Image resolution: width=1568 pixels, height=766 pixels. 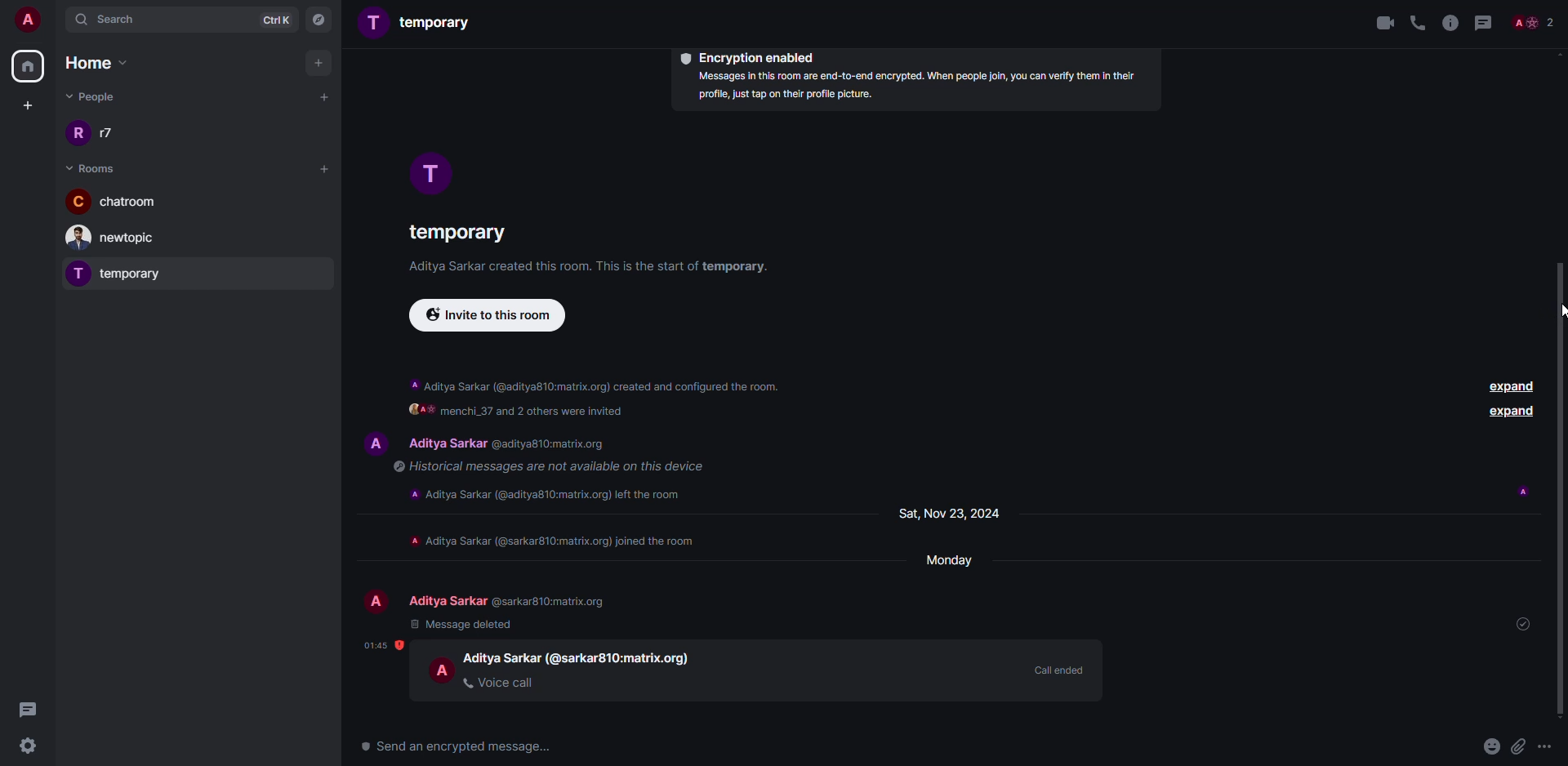 What do you see at coordinates (324, 96) in the screenshot?
I see `add` at bounding box center [324, 96].